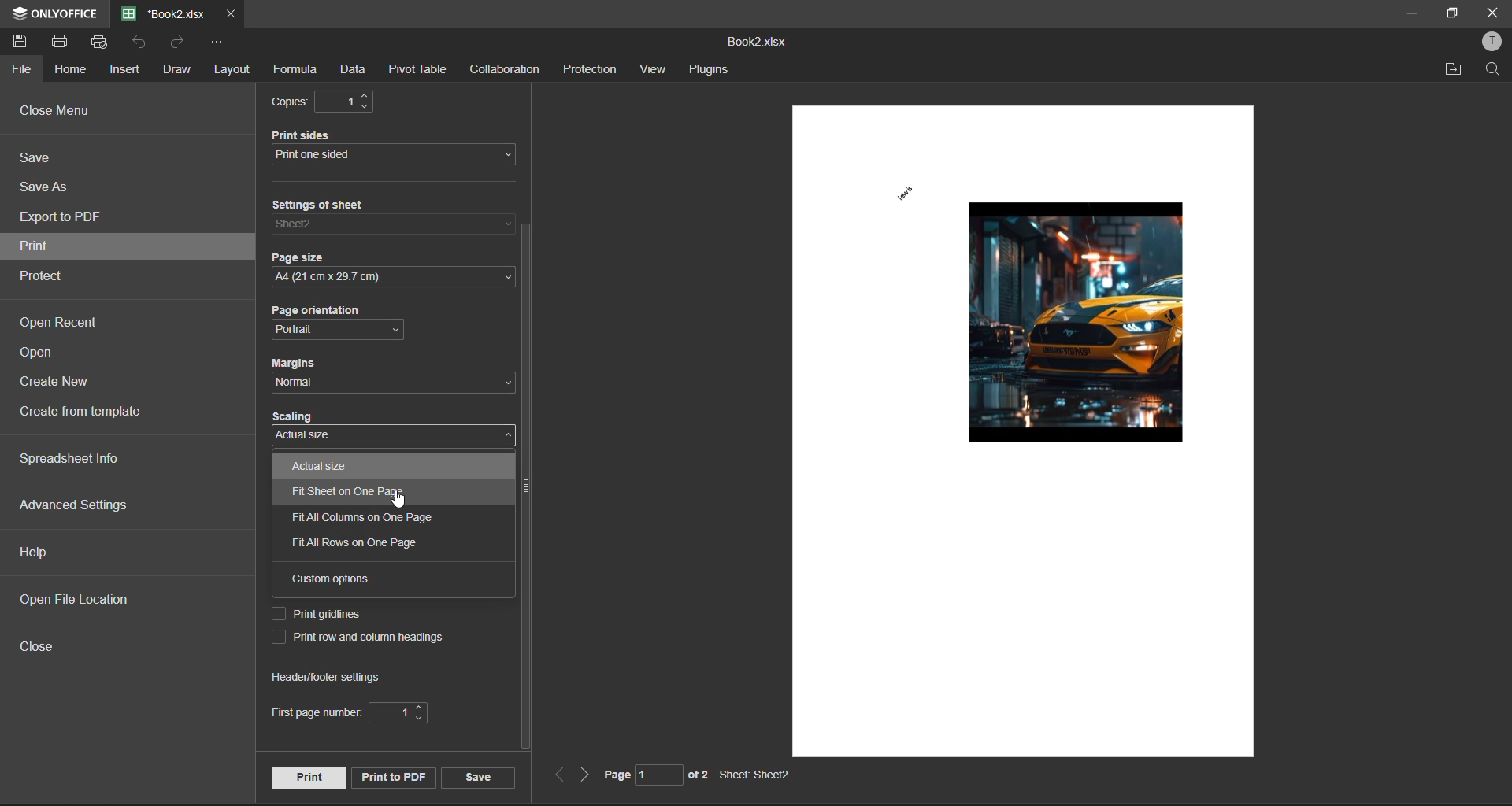  I want to click on close, so click(41, 645).